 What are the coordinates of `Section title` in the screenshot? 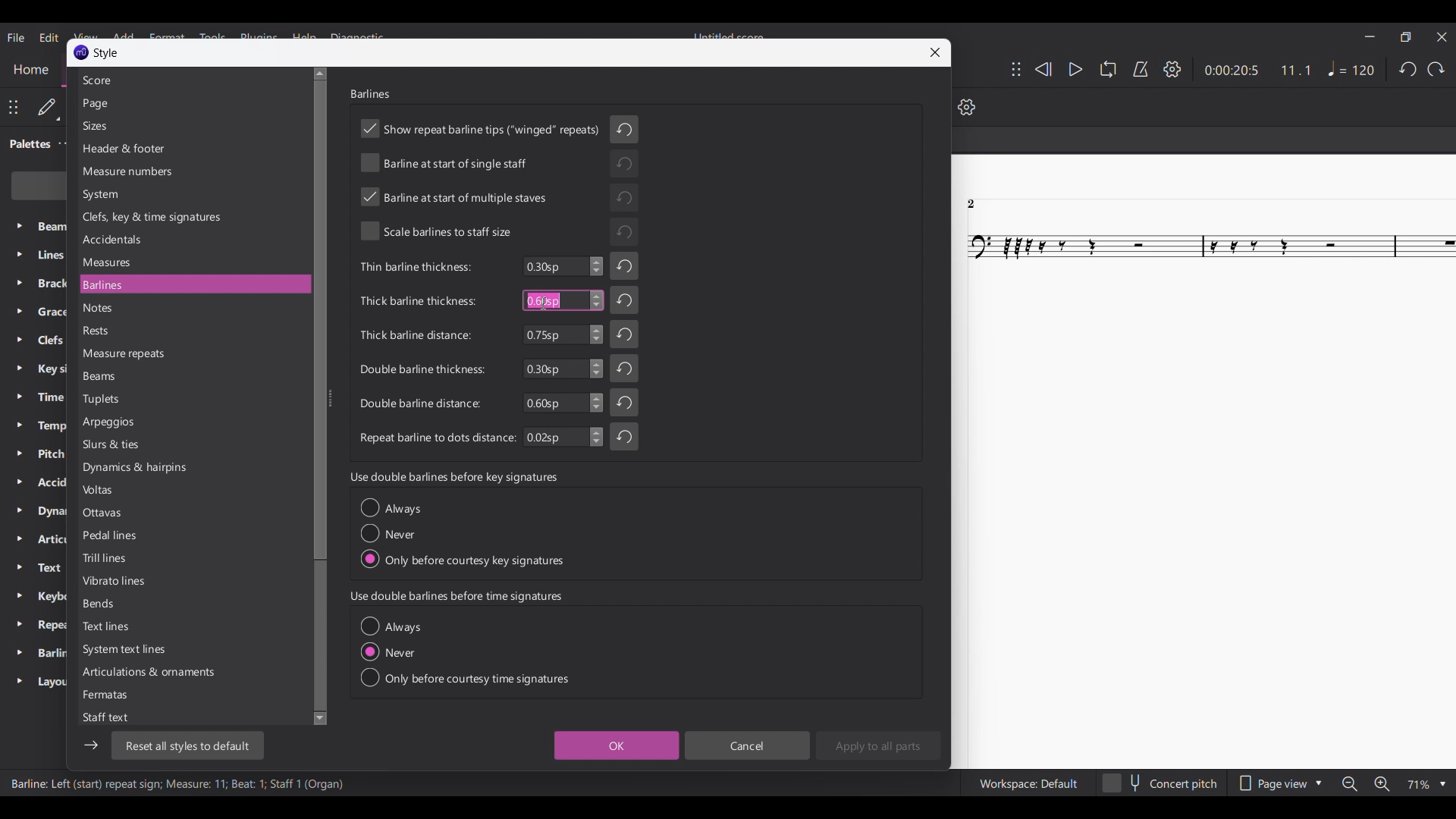 It's located at (457, 597).